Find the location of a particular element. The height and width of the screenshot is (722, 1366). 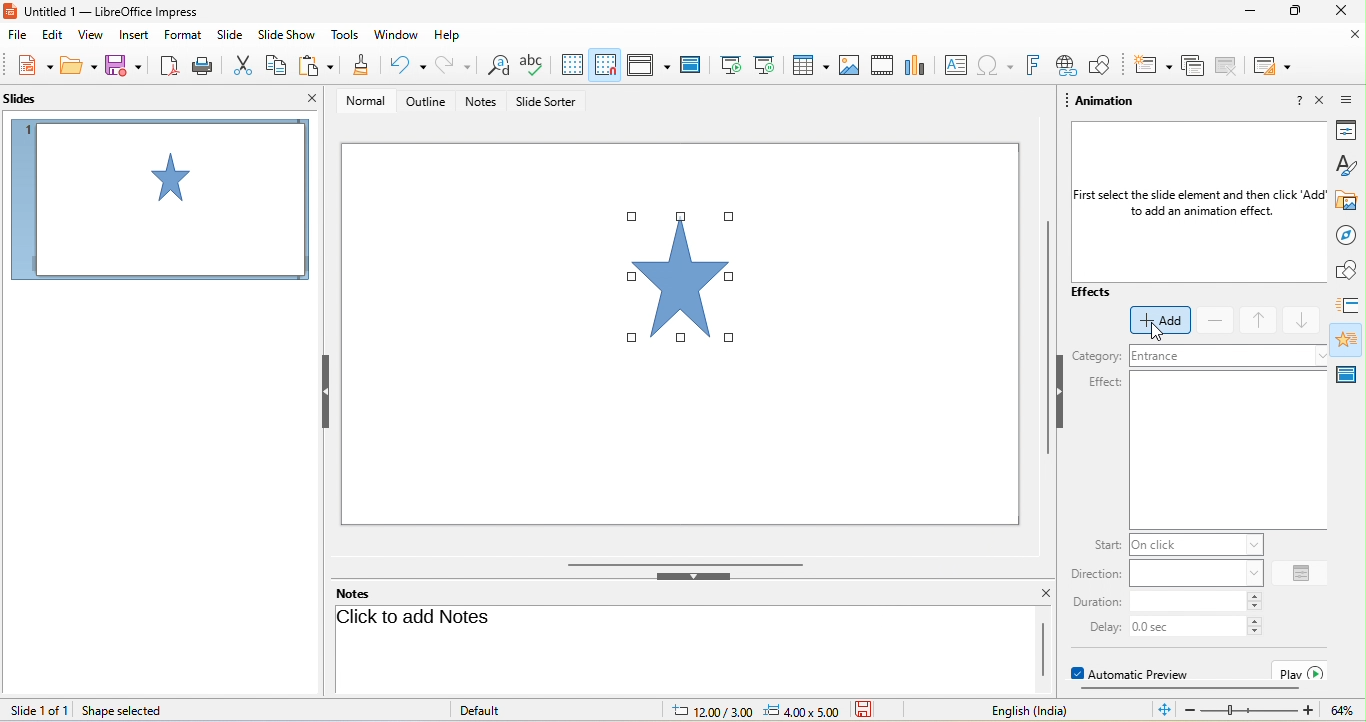

effects is located at coordinates (1109, 293).